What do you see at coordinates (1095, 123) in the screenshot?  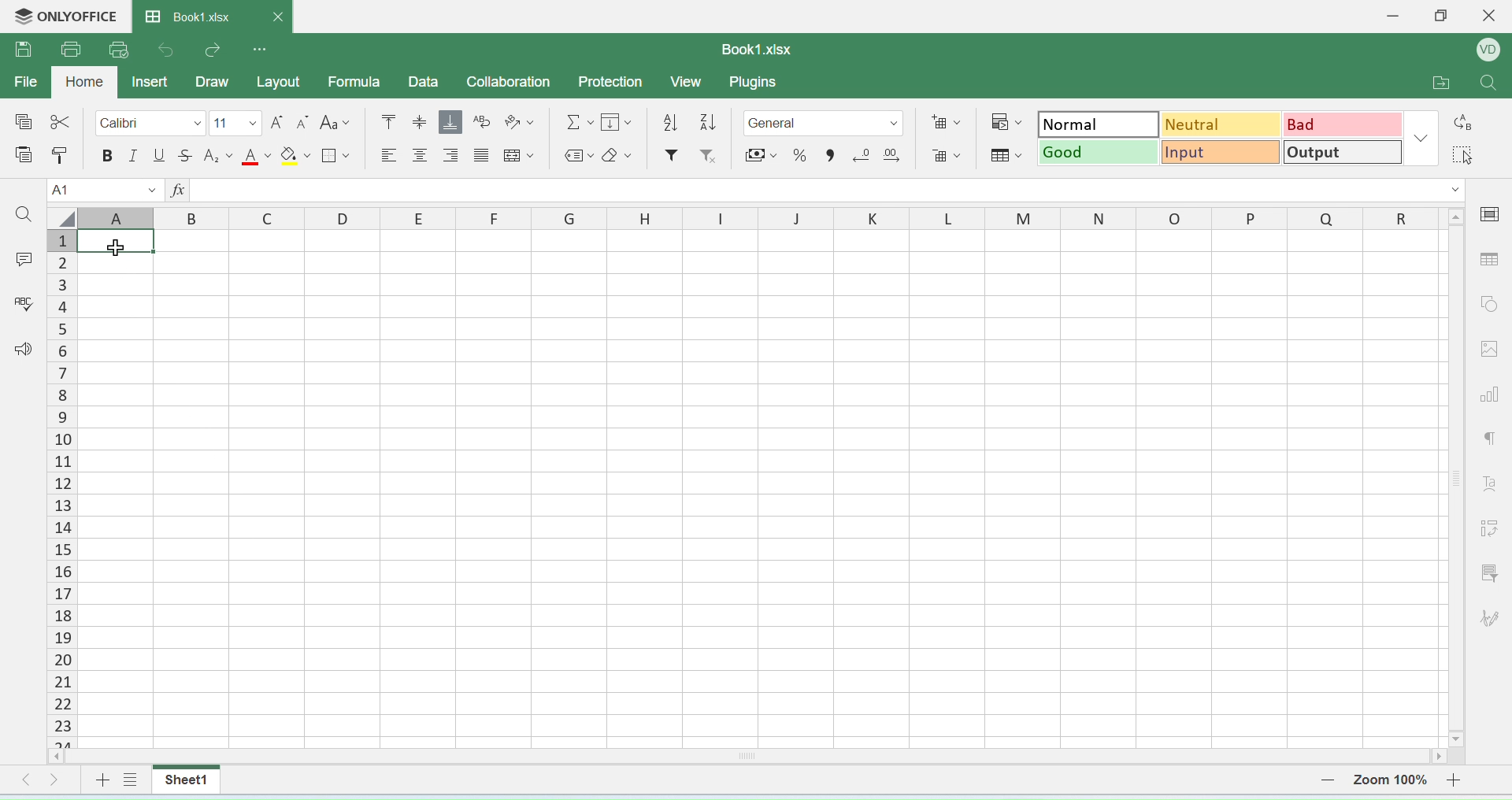 I see `normal` at bounding box center [1095, 123].